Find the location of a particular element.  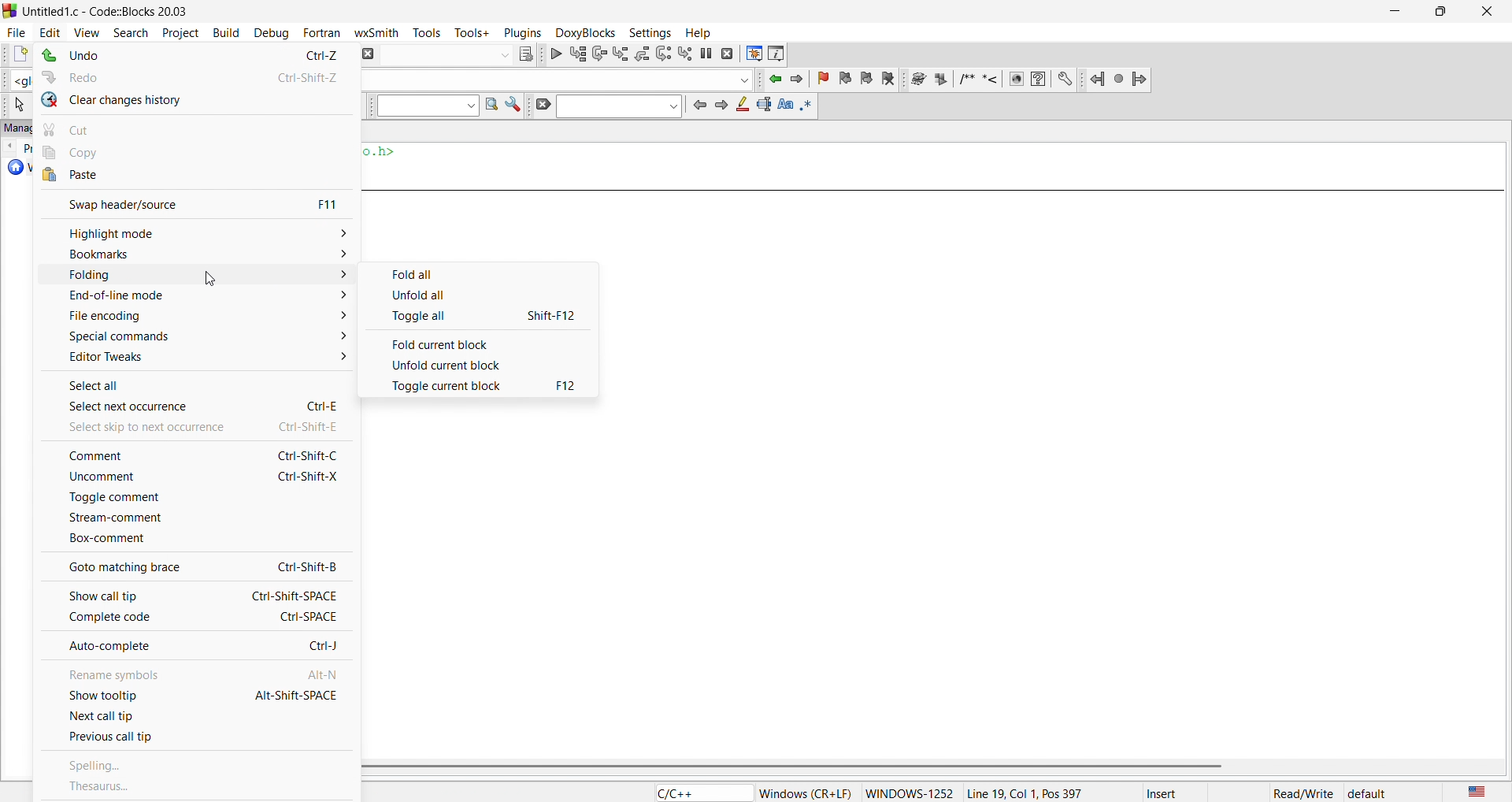

insert comment box is located at coordinates (965, 79).